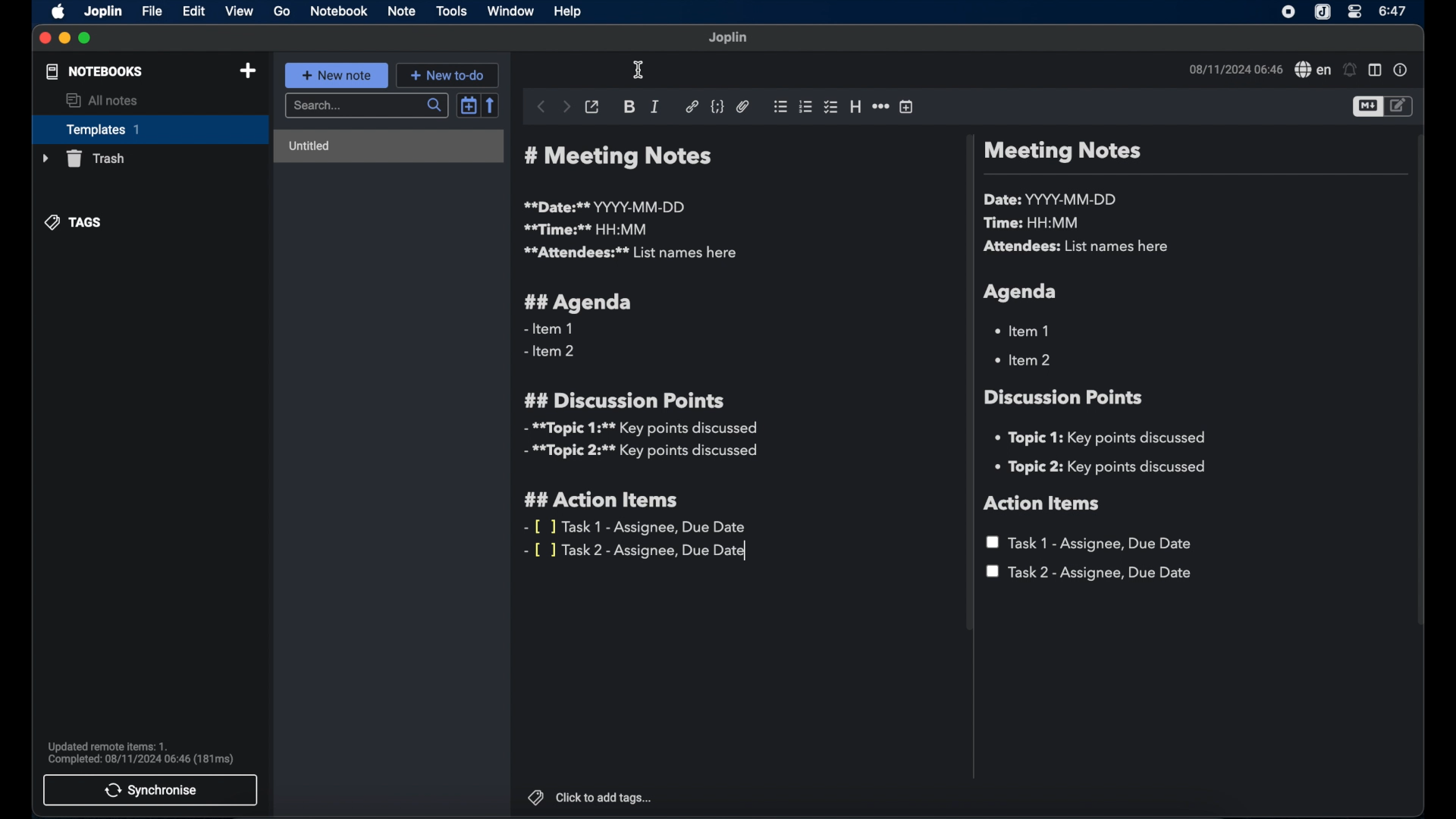  Describe the element at coordinates (629, 253) in the screenshot. I see `**attendees:** list names here` at that location.